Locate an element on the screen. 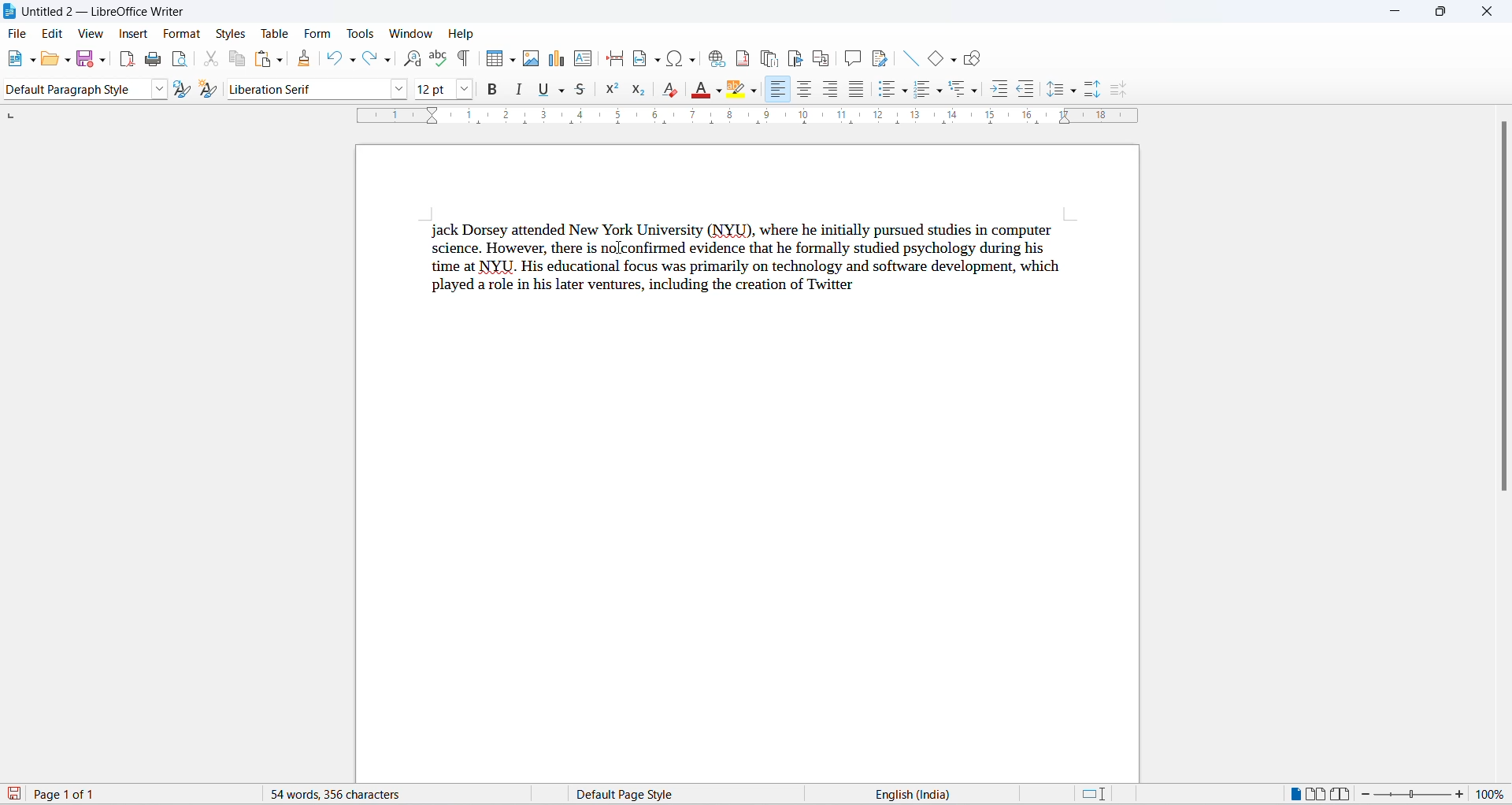 The image size is (1512, 805). view is located at coordinates (92, 34).